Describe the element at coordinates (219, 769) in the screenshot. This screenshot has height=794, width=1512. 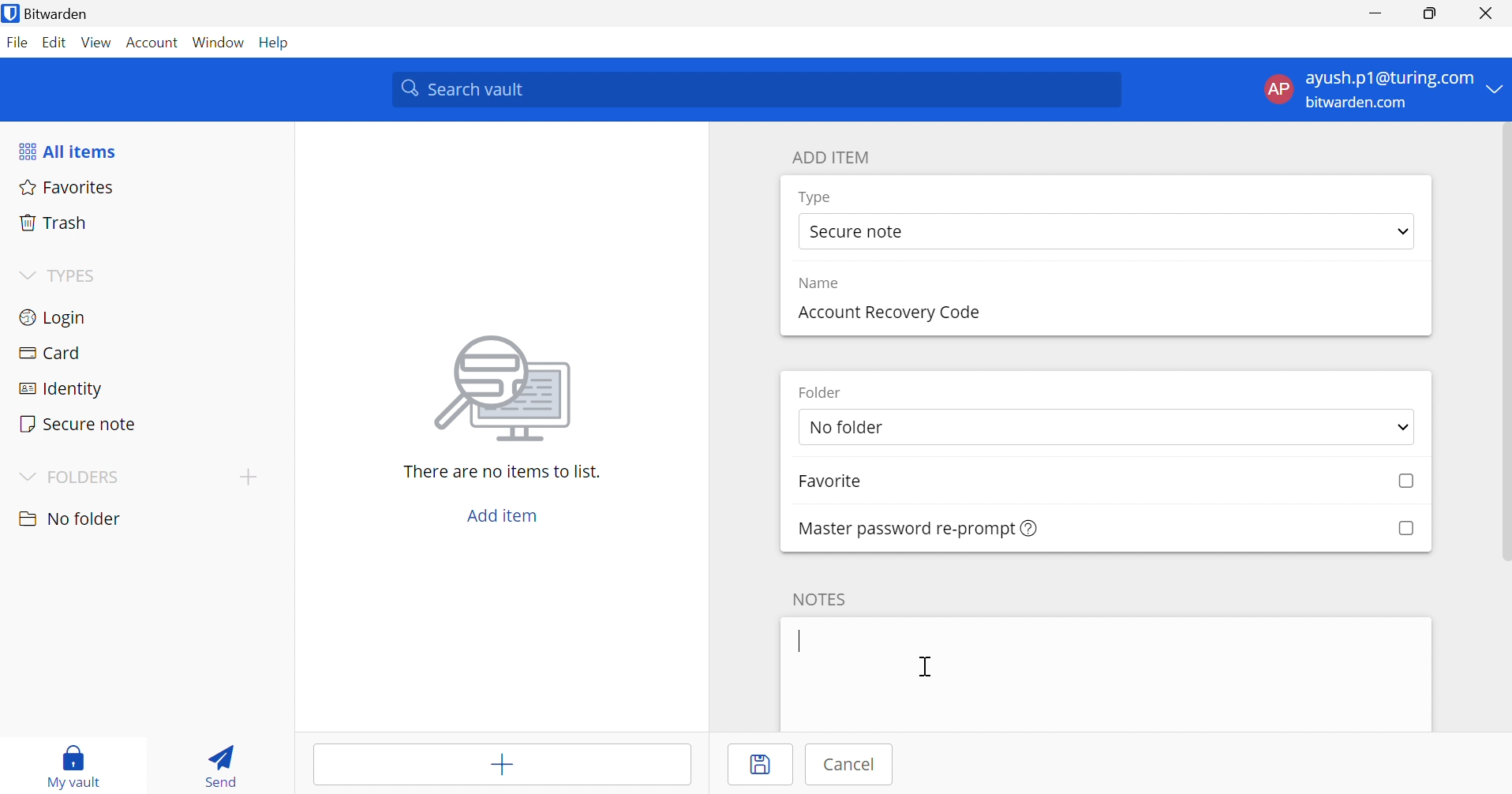
I see `Send` at that location.